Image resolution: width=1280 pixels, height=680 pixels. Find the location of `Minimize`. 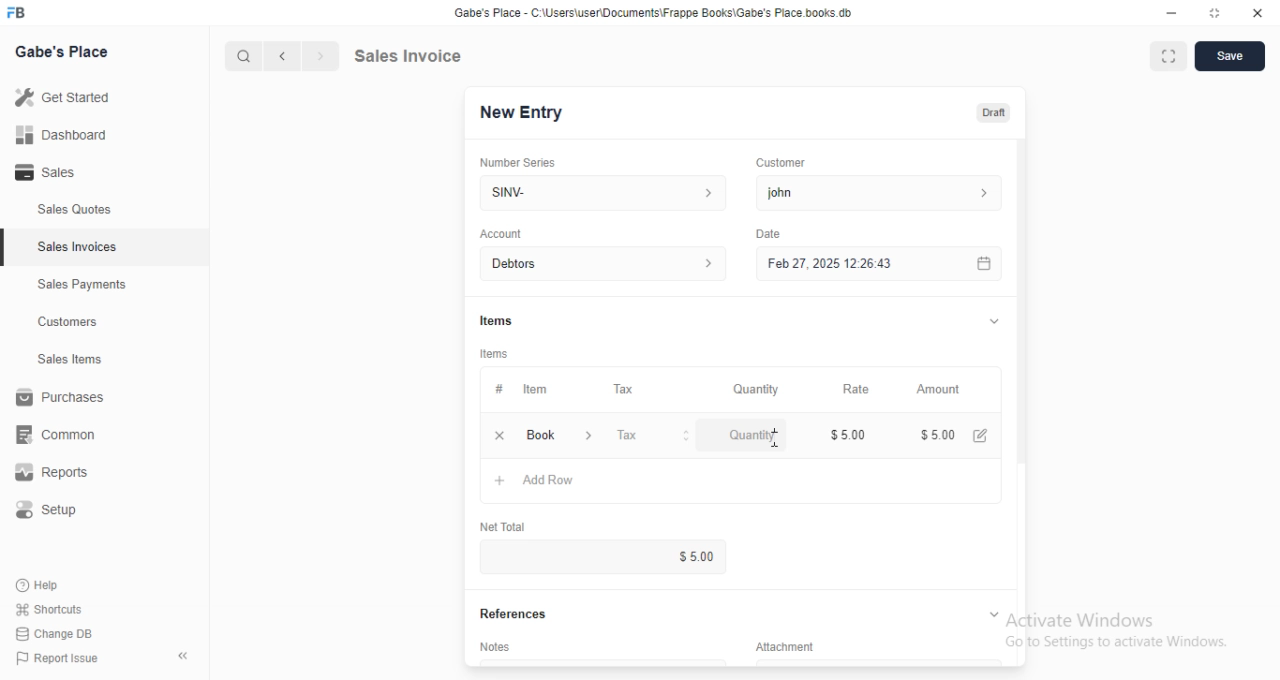

Minimize is located at coordinates (1169, 14).